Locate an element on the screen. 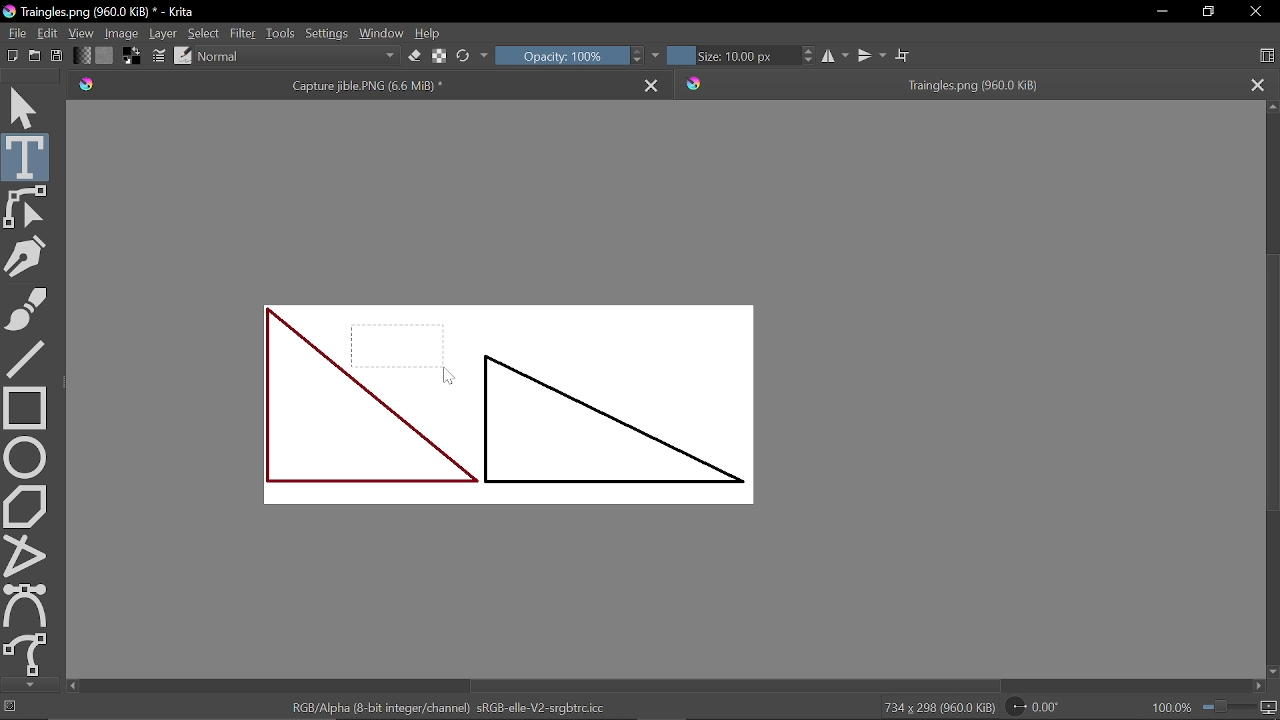 This screenshot has width=1280, height=720. Help is located at coordinates (430, 35).